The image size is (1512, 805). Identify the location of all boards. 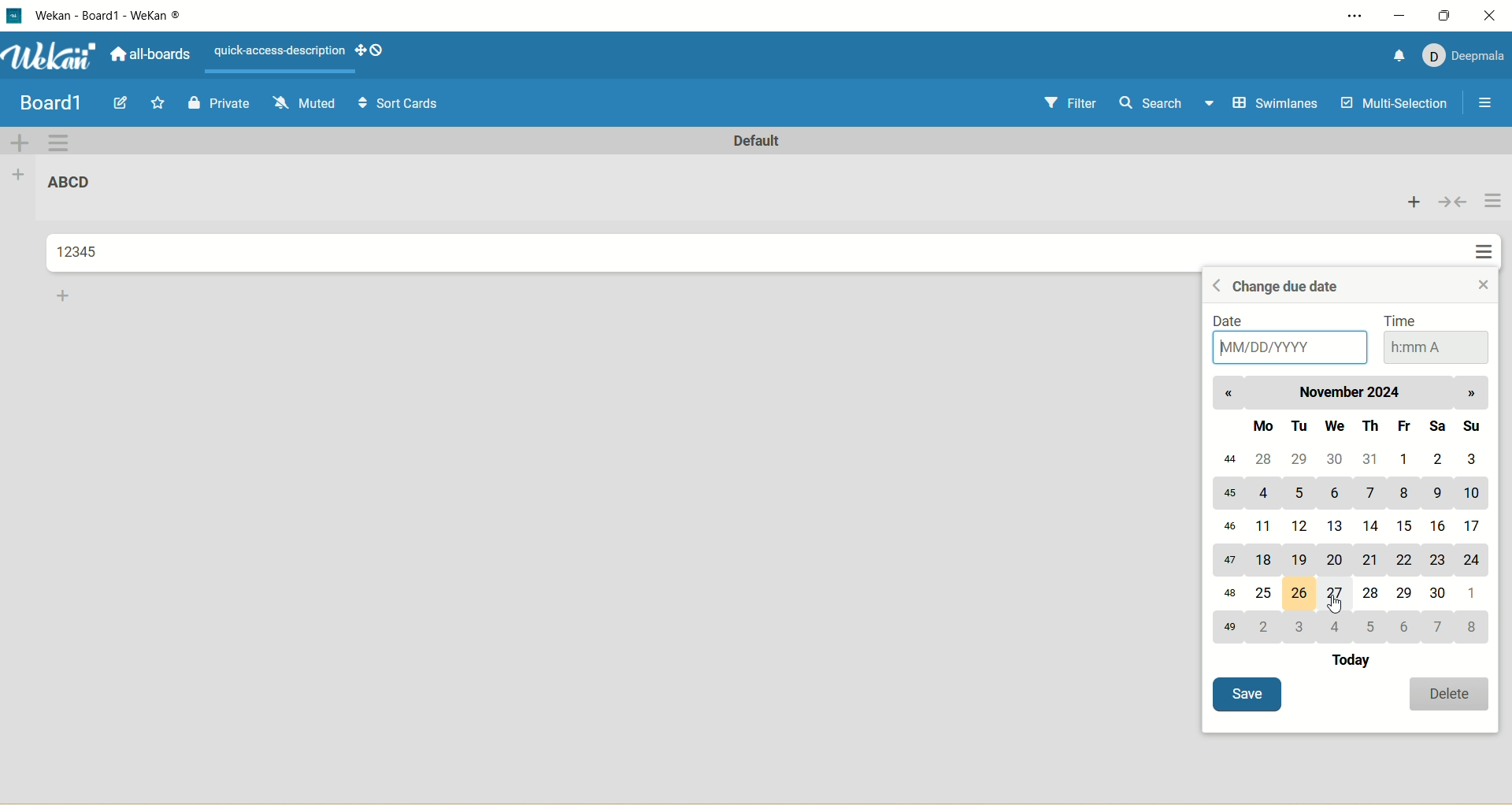
(150, 52).